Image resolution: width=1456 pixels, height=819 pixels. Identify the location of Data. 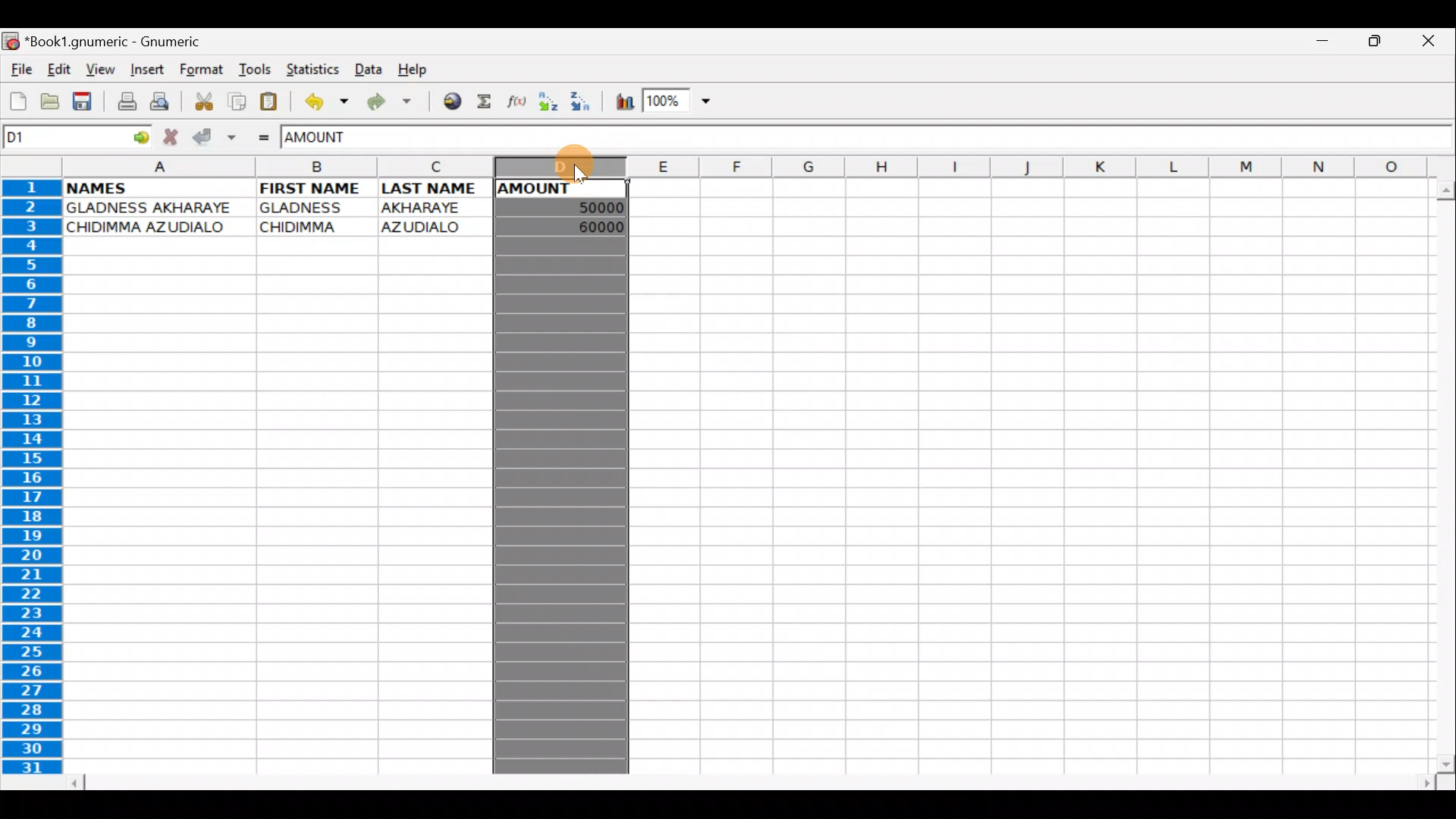
(368, 68).